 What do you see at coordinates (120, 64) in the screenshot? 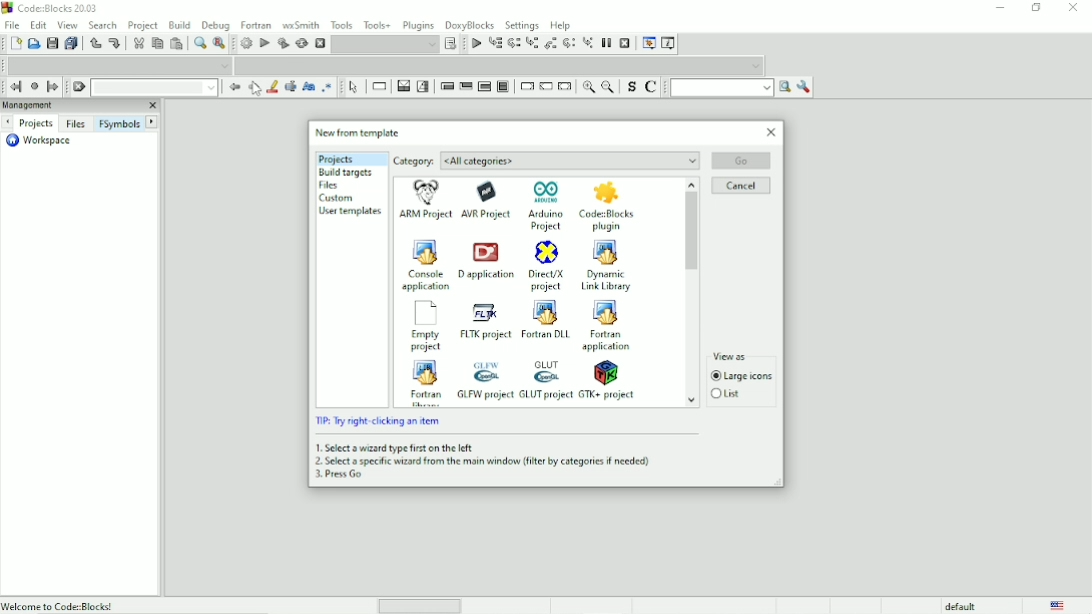
I see `Drop down` at bounding box center [120, 64].